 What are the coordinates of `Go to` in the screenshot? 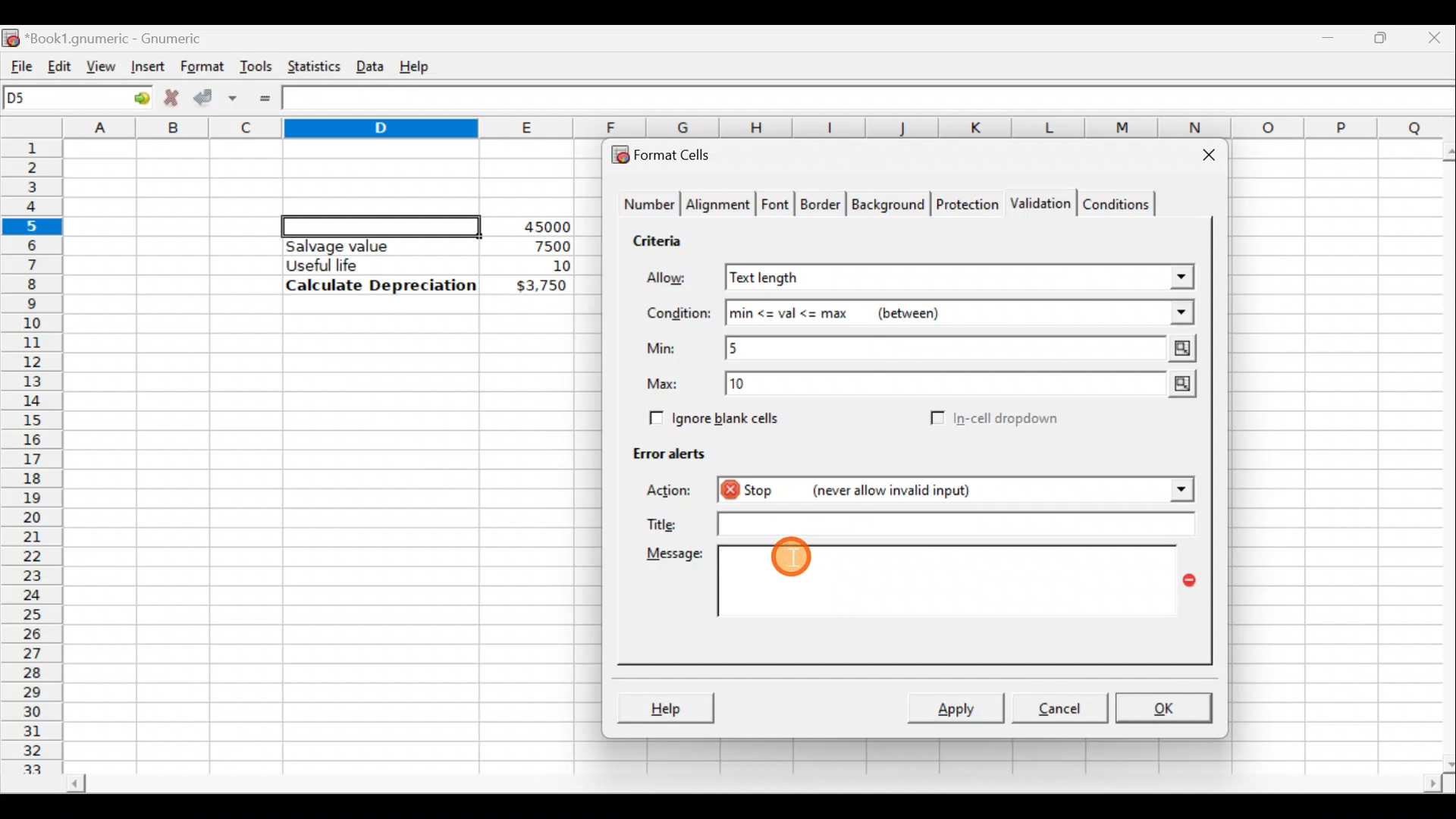 It's located at (136, 99).